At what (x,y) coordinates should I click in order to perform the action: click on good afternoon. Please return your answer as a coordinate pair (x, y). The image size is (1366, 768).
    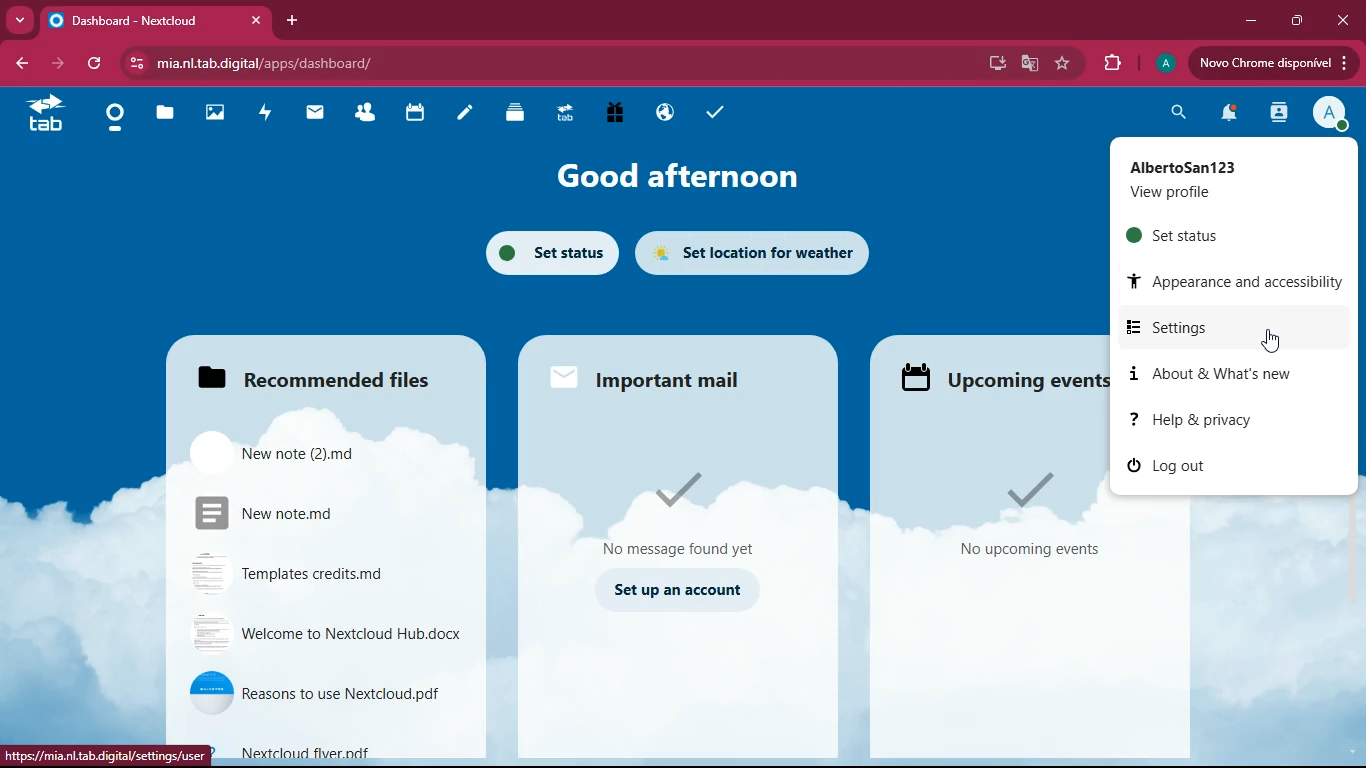
    Looking at the image, I should click on (684, 176).